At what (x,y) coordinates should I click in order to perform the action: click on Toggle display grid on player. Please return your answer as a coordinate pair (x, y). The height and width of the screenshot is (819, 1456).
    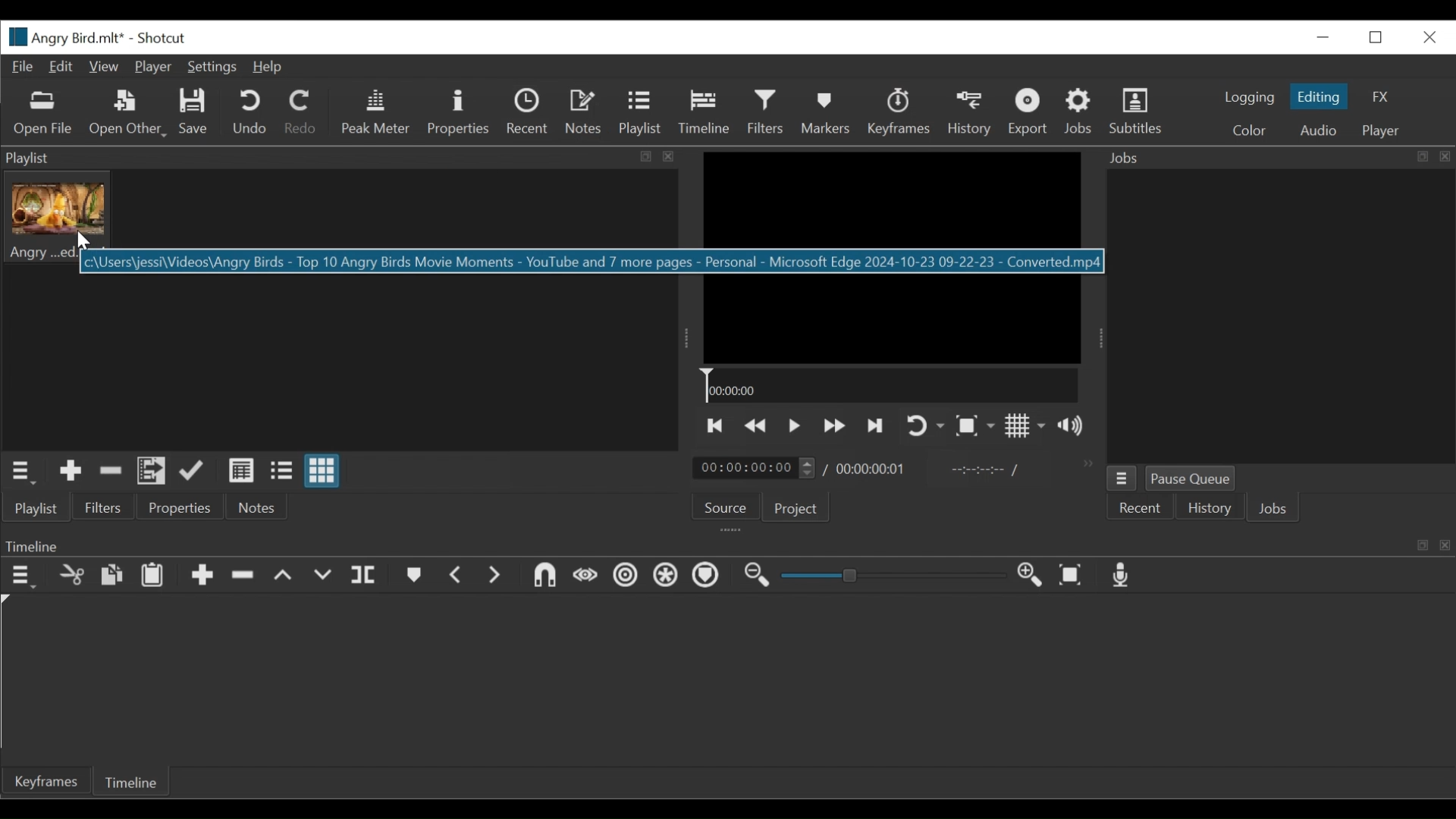
    Looking at the image, I should click on (1028, 428).